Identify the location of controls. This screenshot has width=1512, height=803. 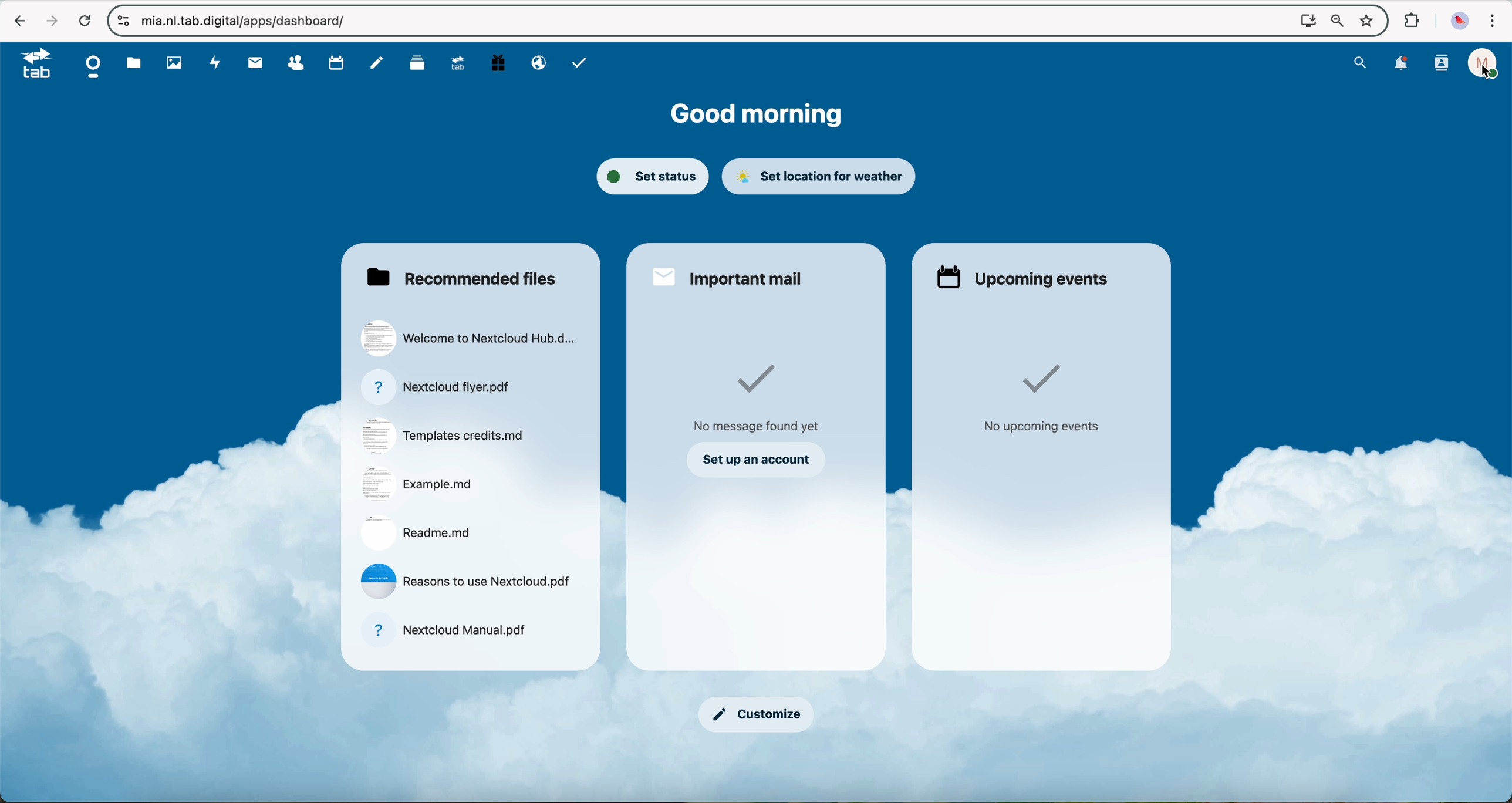
(124, 21).